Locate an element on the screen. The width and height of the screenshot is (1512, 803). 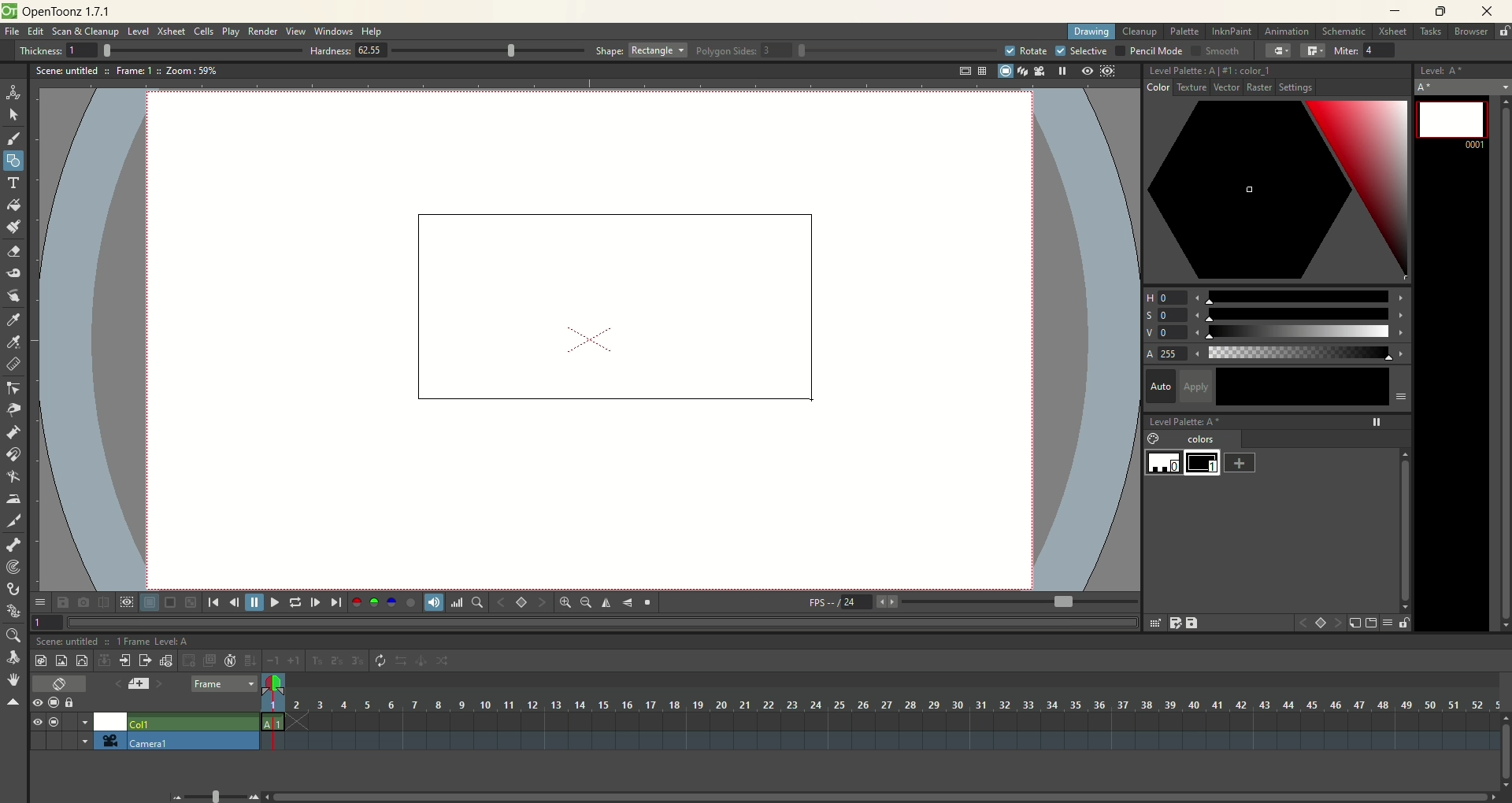
apply is located at coordinates (1295, 387).